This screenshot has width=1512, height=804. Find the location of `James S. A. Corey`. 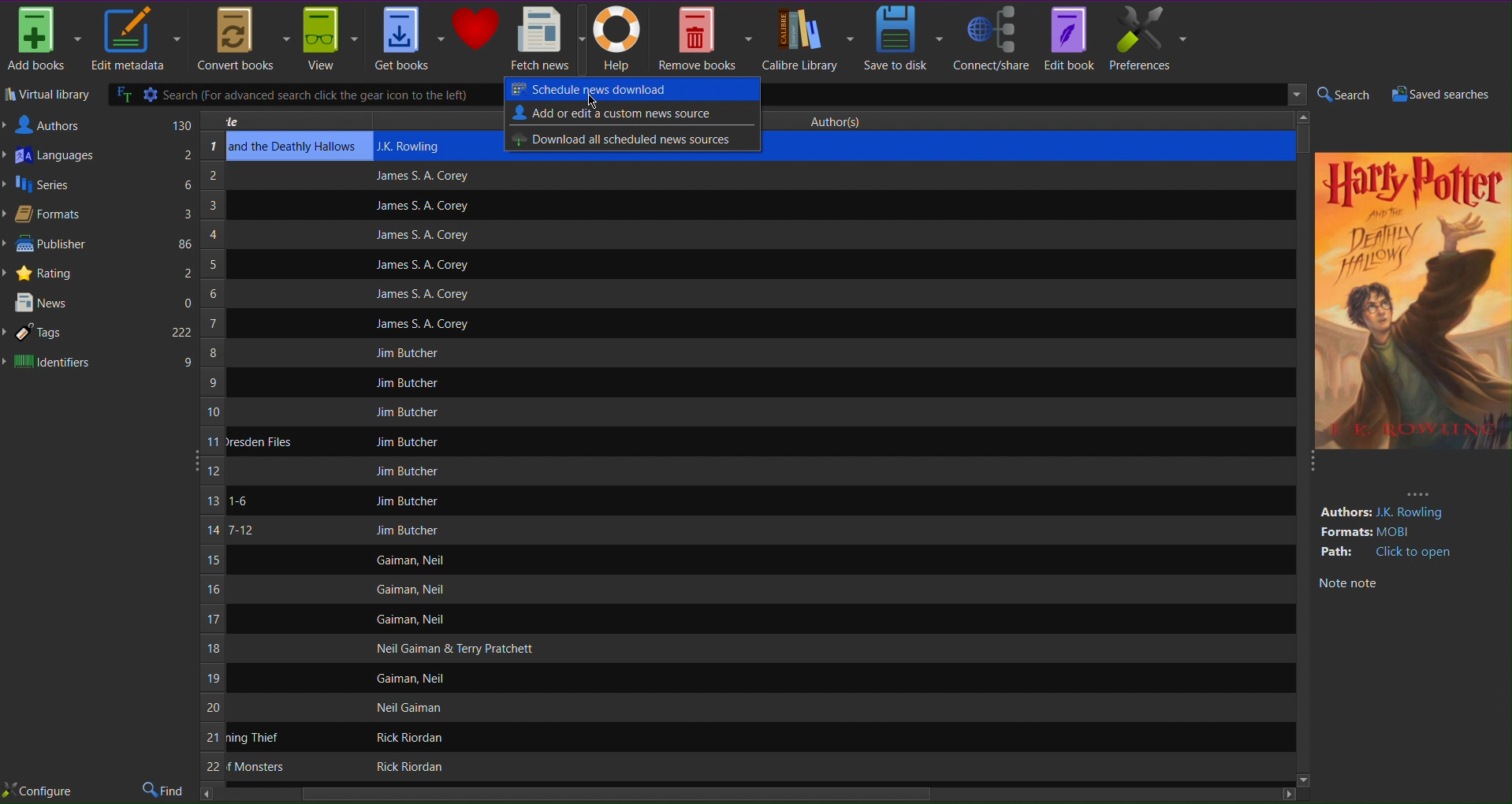

James S. A. Corey is located at coordinates (422, 177).